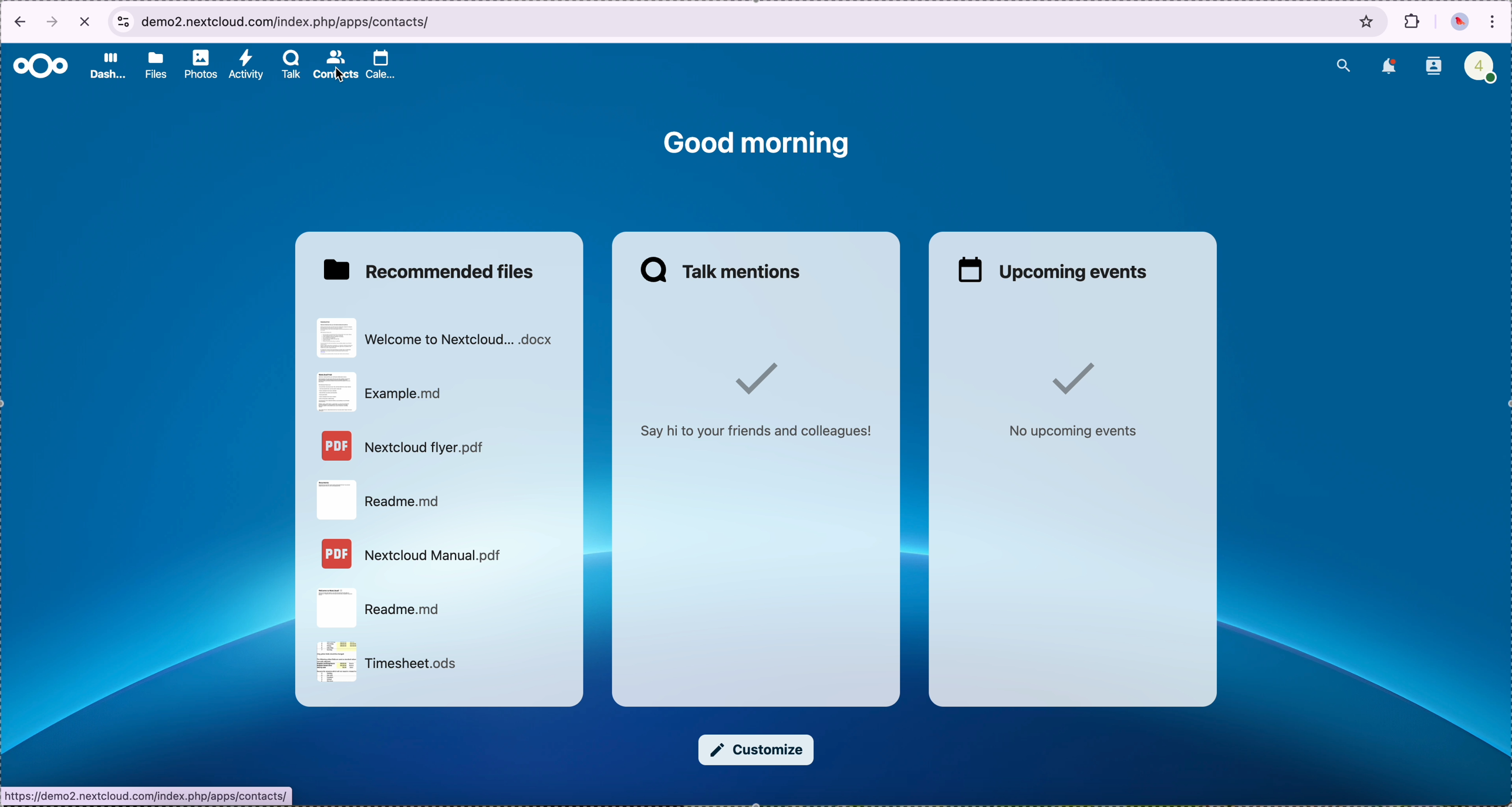 This screenshot has height=807, width=1512. What do you see at coordinates (107, 68) in the screenshot?
I see `dashboard` at bounding box center [107, 68].